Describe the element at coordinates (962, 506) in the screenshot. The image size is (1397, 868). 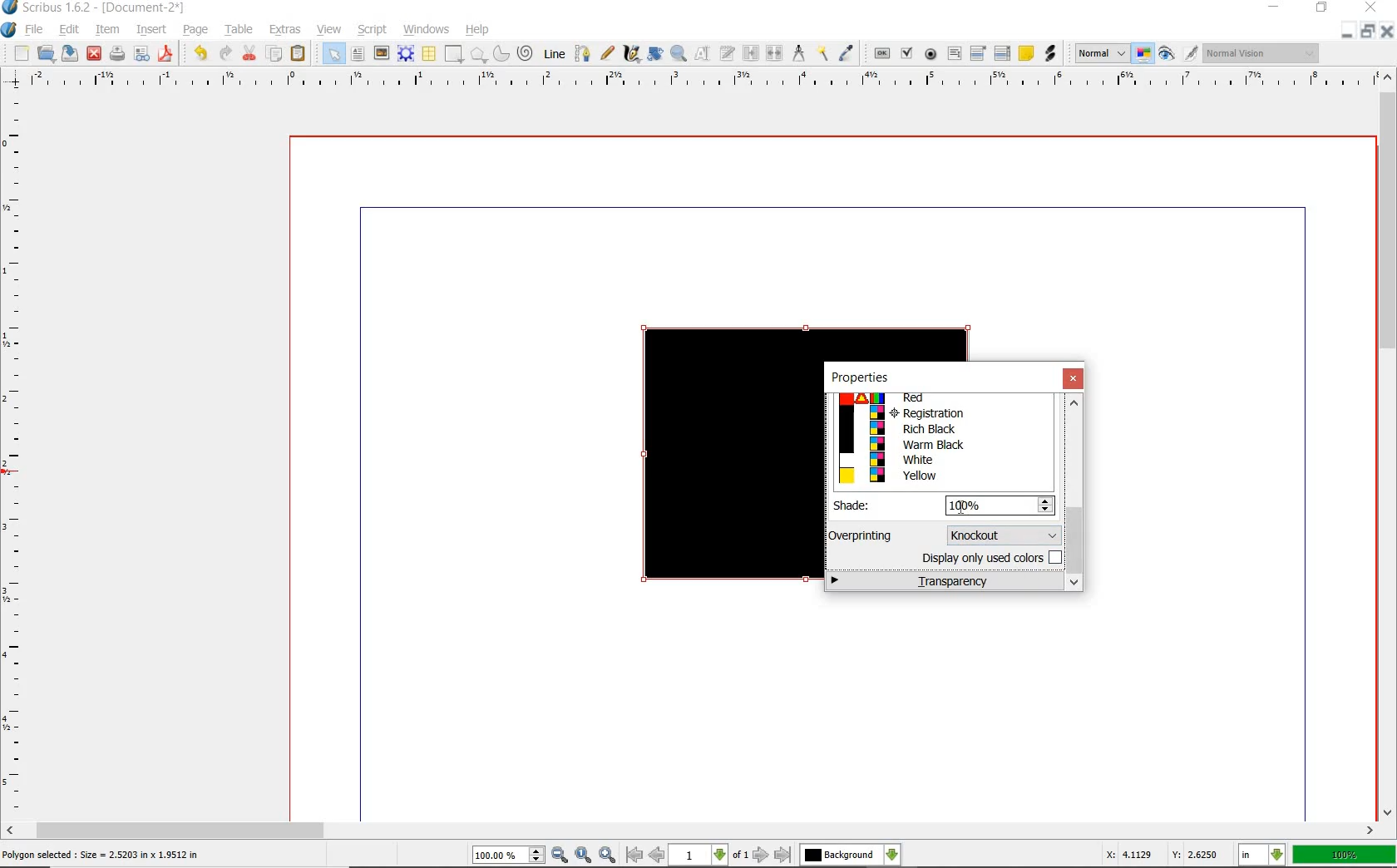
I see `cursor` at that location.